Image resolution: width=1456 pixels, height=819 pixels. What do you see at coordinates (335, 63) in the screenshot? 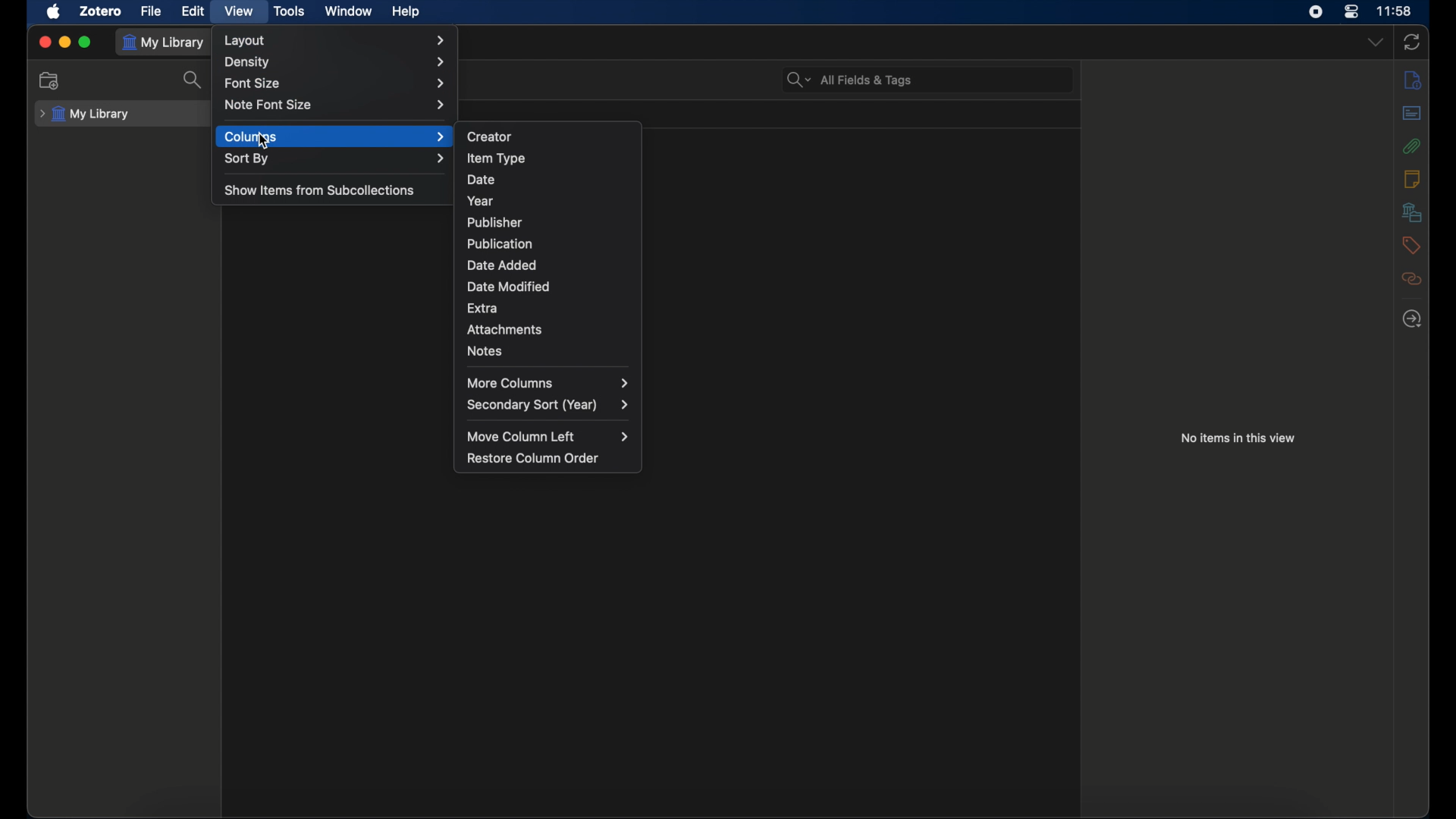
I see `density` at bounding box center [335, 63].